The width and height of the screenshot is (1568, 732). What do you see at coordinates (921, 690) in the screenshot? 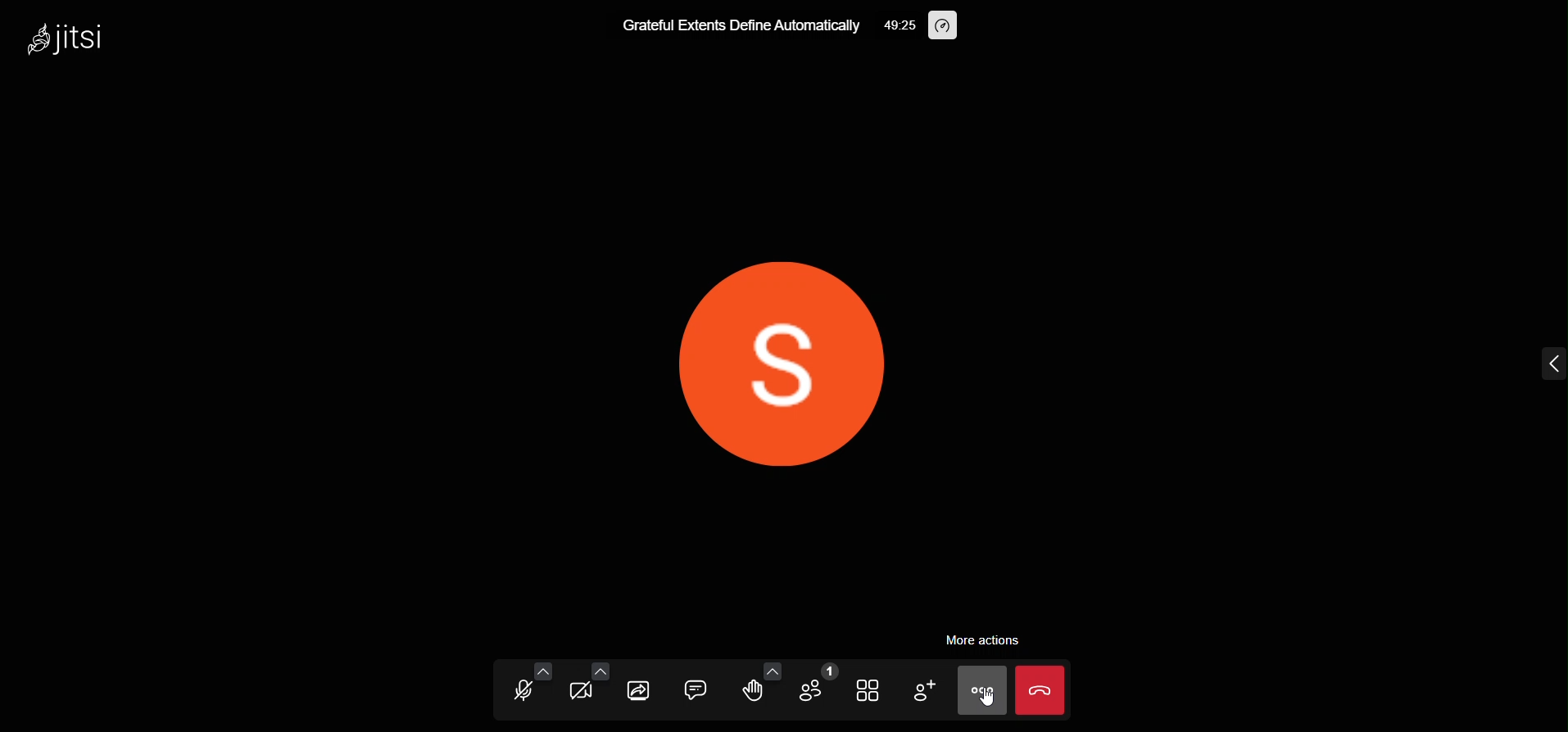
I see `invite people` at bounding box center [921, 690].